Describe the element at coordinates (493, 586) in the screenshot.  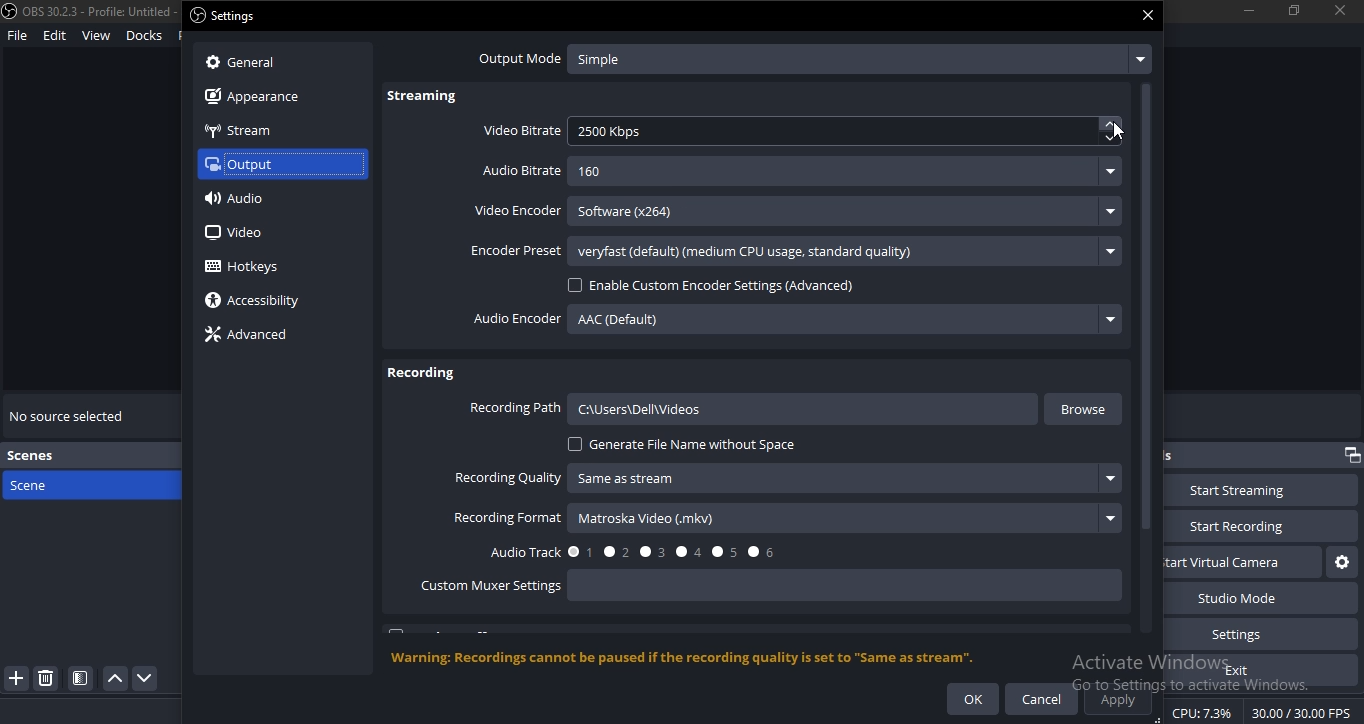
I see `custom mixer settings` at that location.